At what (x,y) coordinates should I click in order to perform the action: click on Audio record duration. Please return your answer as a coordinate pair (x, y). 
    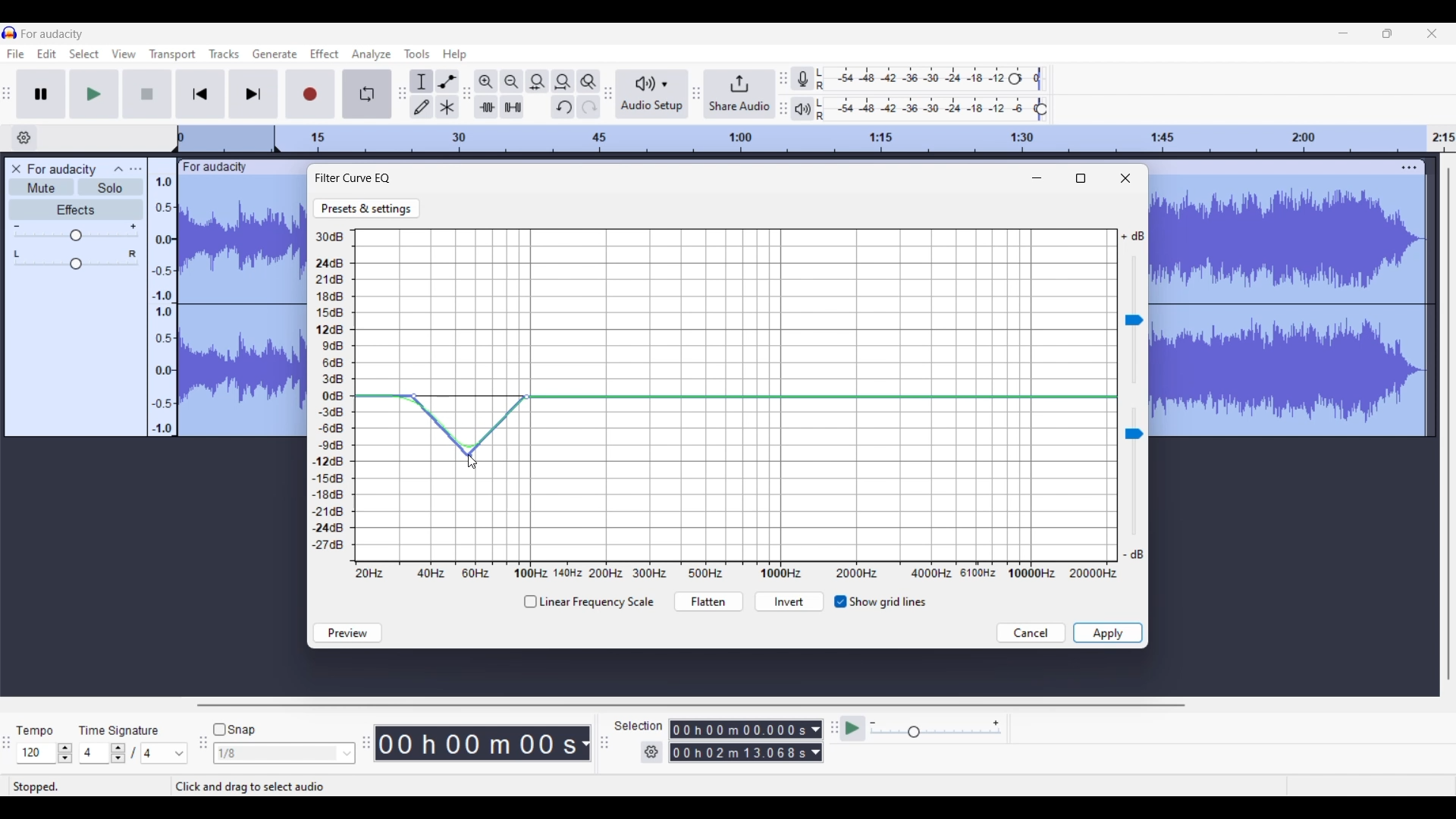
    Looking at the image, I should click on (585, 744).